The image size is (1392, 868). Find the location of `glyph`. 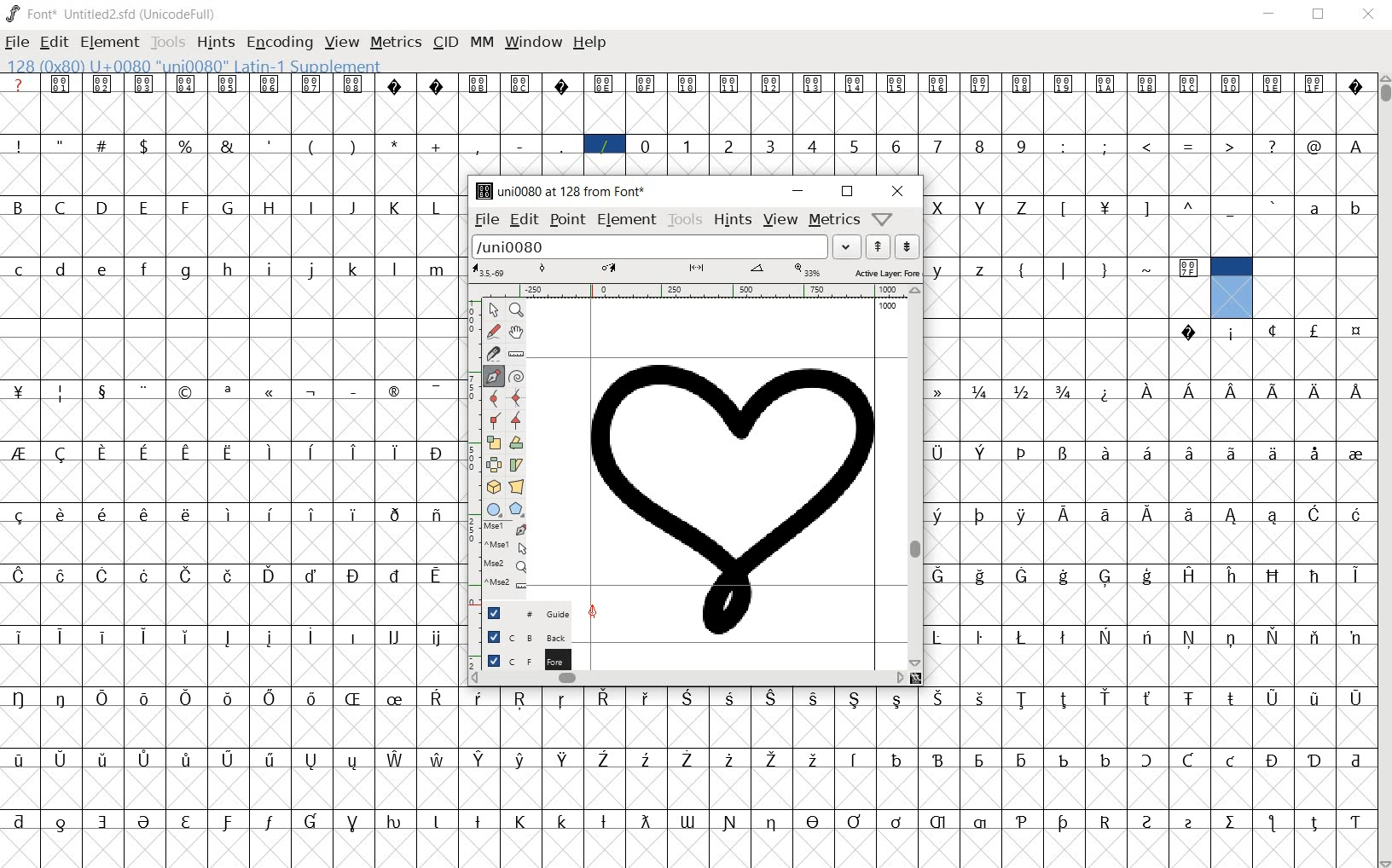

glyph is located at coordinates (270, 514).